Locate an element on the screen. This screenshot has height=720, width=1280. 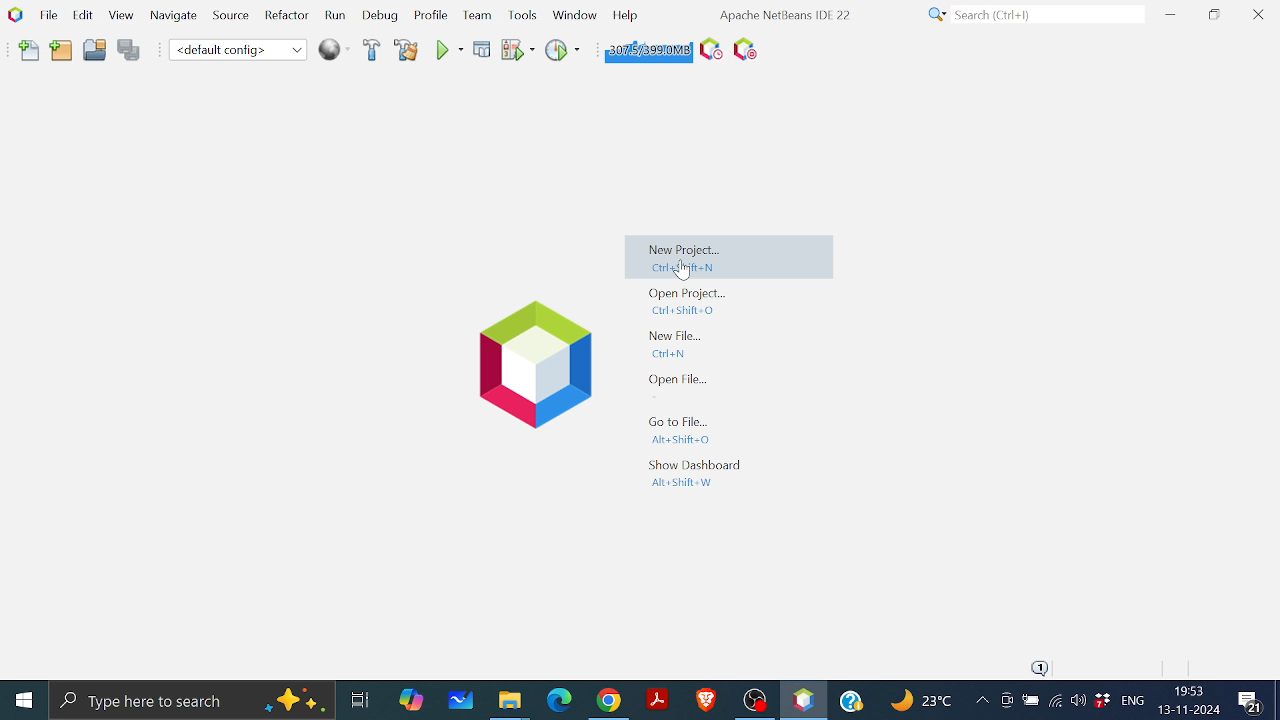
Debug is located at coordinates (381, 16).